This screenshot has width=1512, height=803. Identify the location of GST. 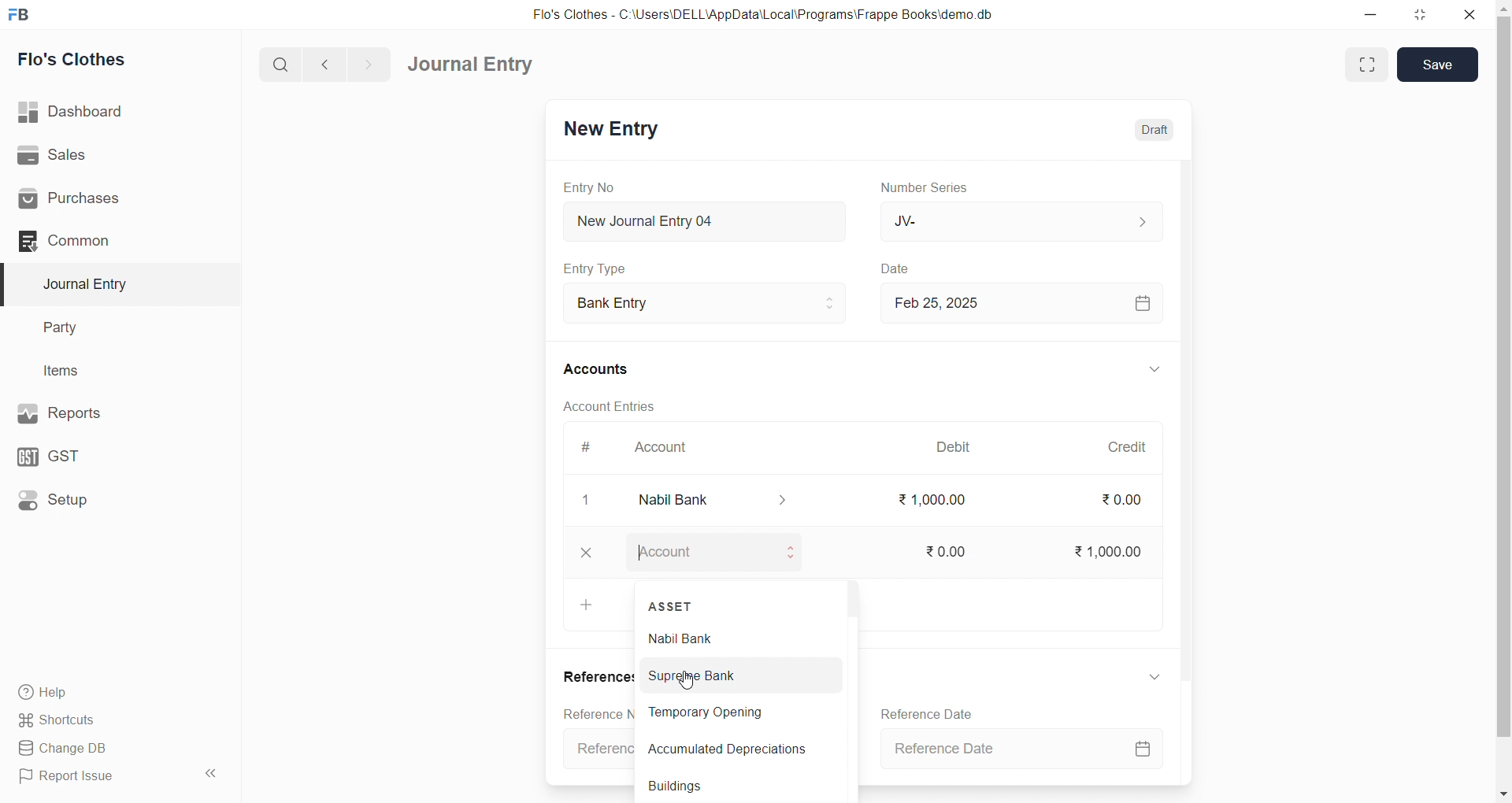
(109, 453).